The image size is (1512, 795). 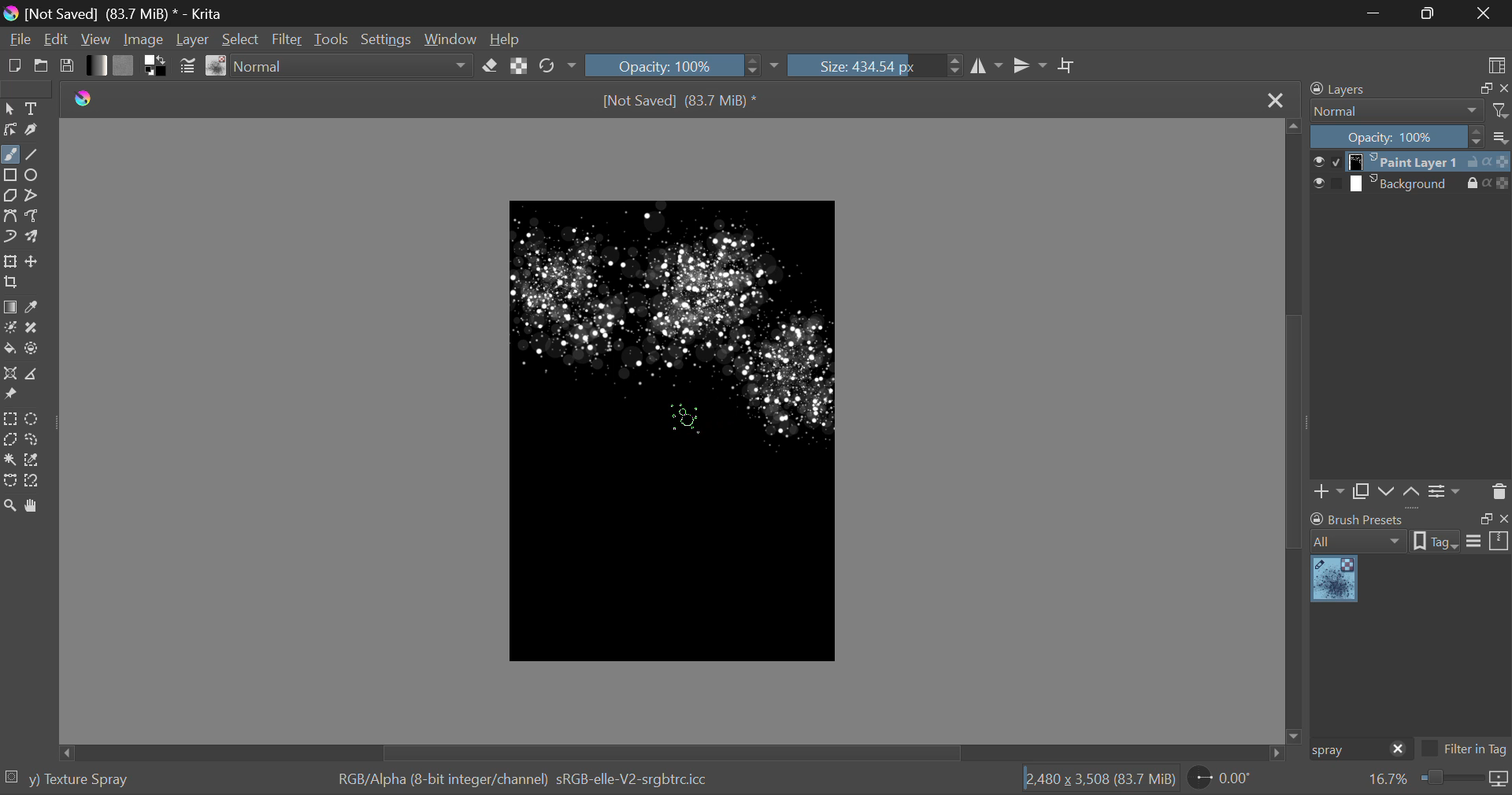 I want to click on [Not Saved] (69.2 MiB) * - Krita, so click(x=131, y=13).